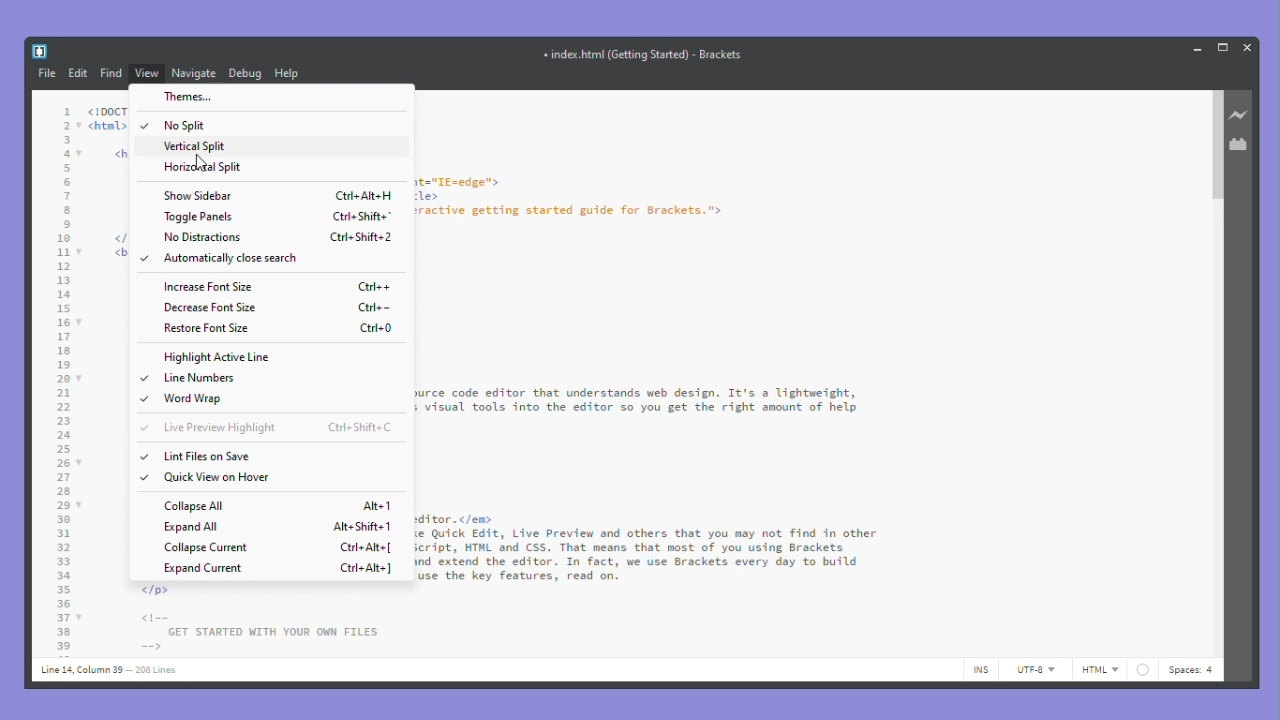  I want to click on 18, so click(64, 350).